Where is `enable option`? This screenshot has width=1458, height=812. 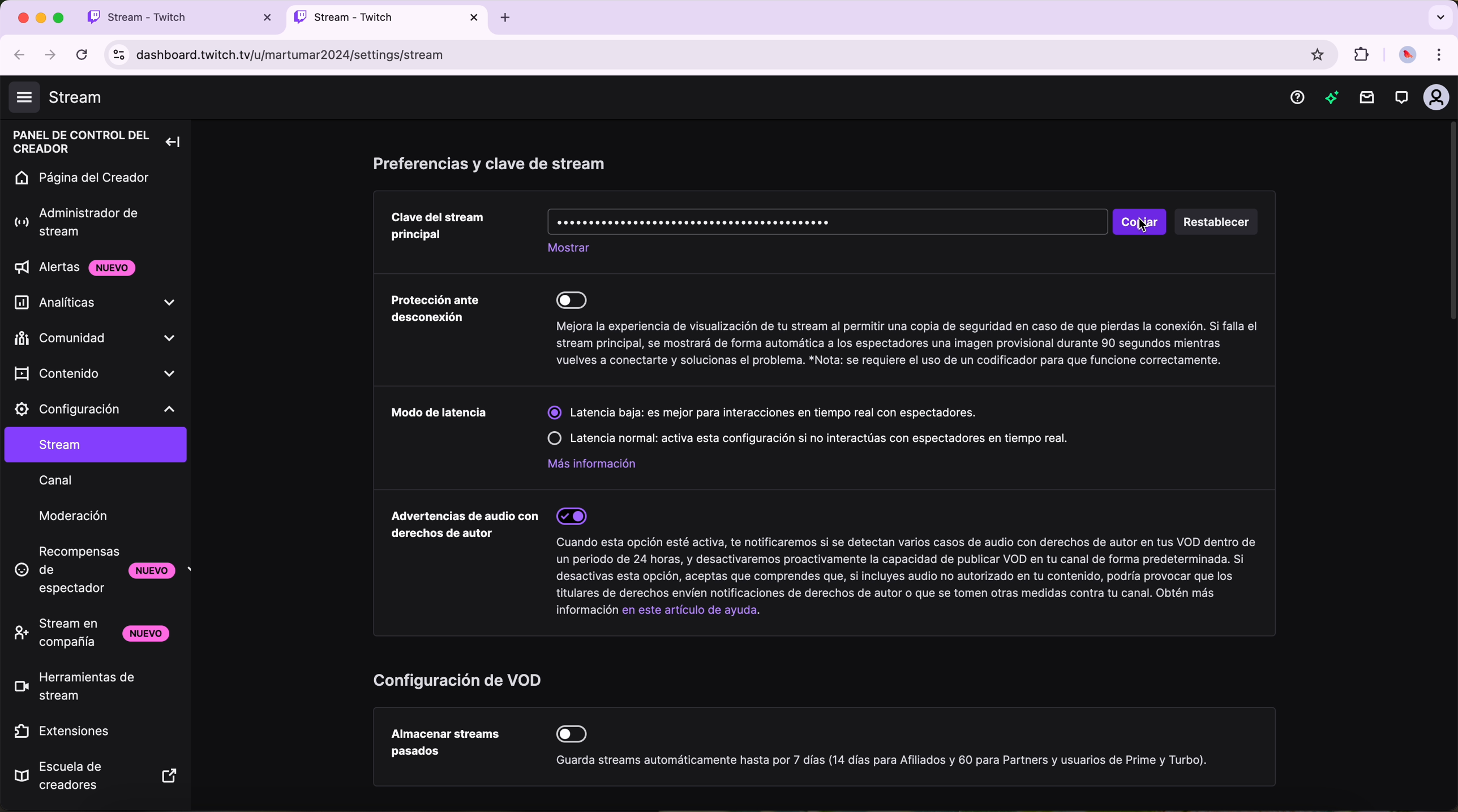
enable option is located at coordinates (572, 518).